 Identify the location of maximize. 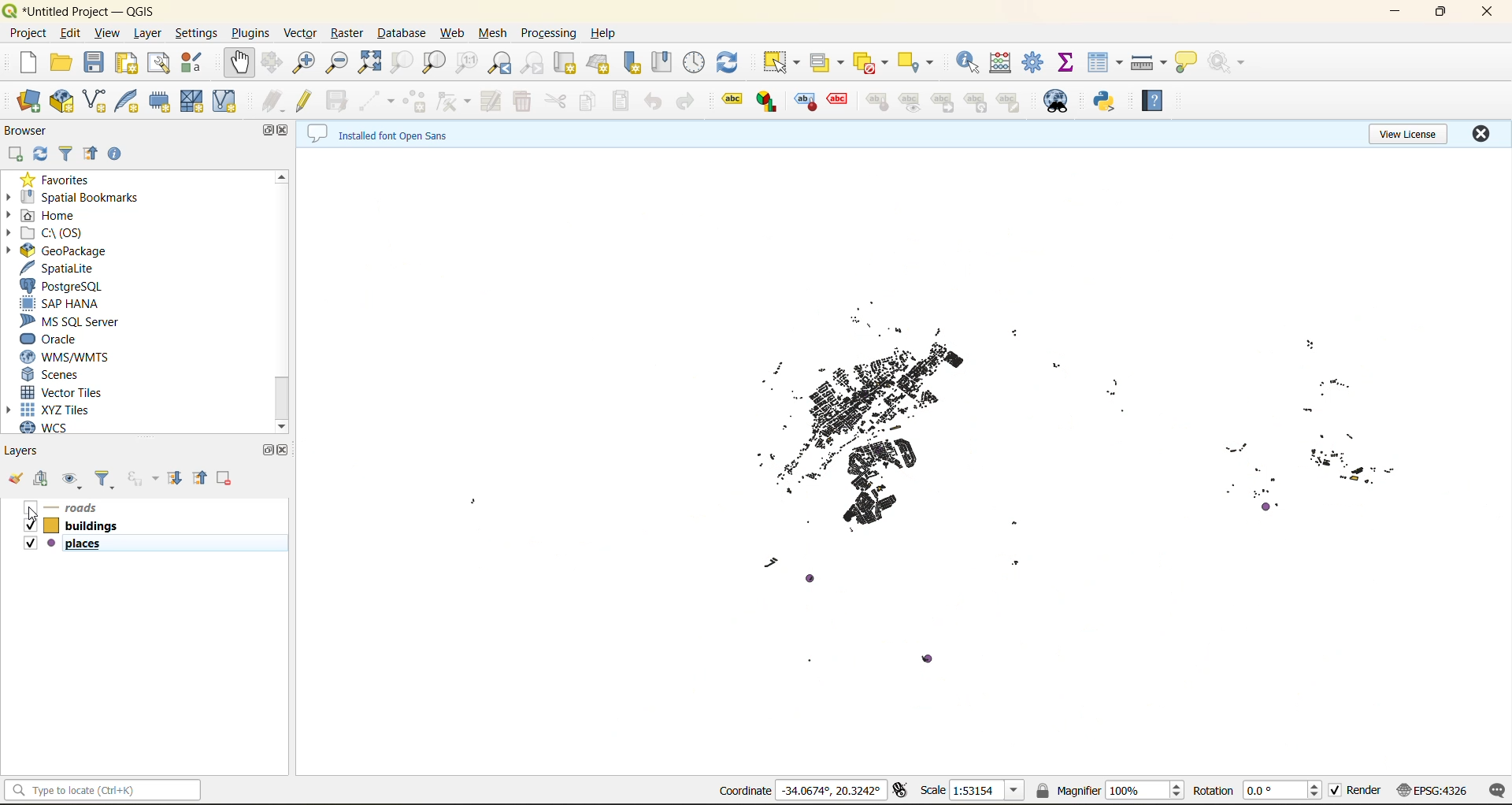
(270, 132).